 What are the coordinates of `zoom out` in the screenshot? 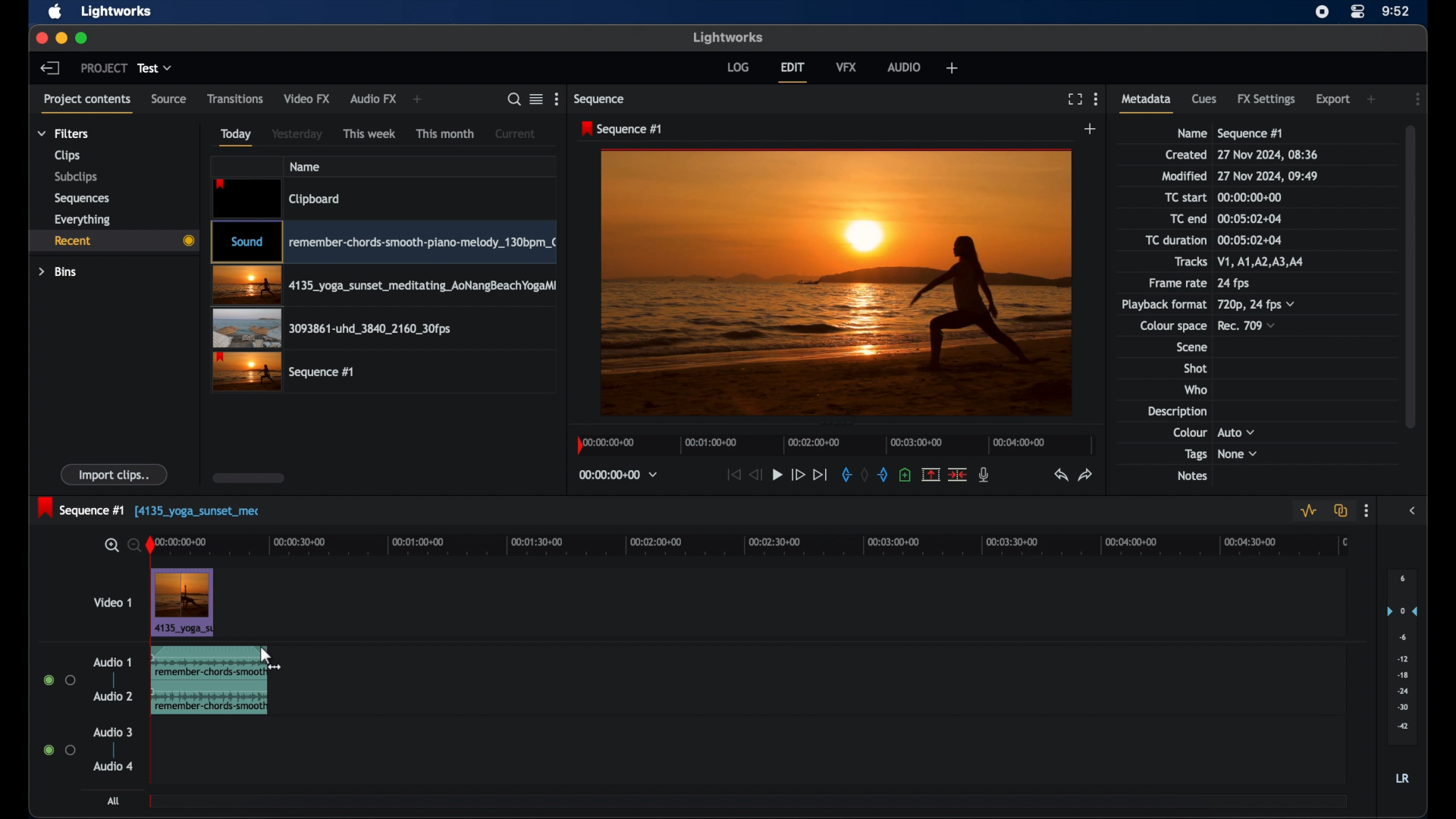 It's located at (130, 544).